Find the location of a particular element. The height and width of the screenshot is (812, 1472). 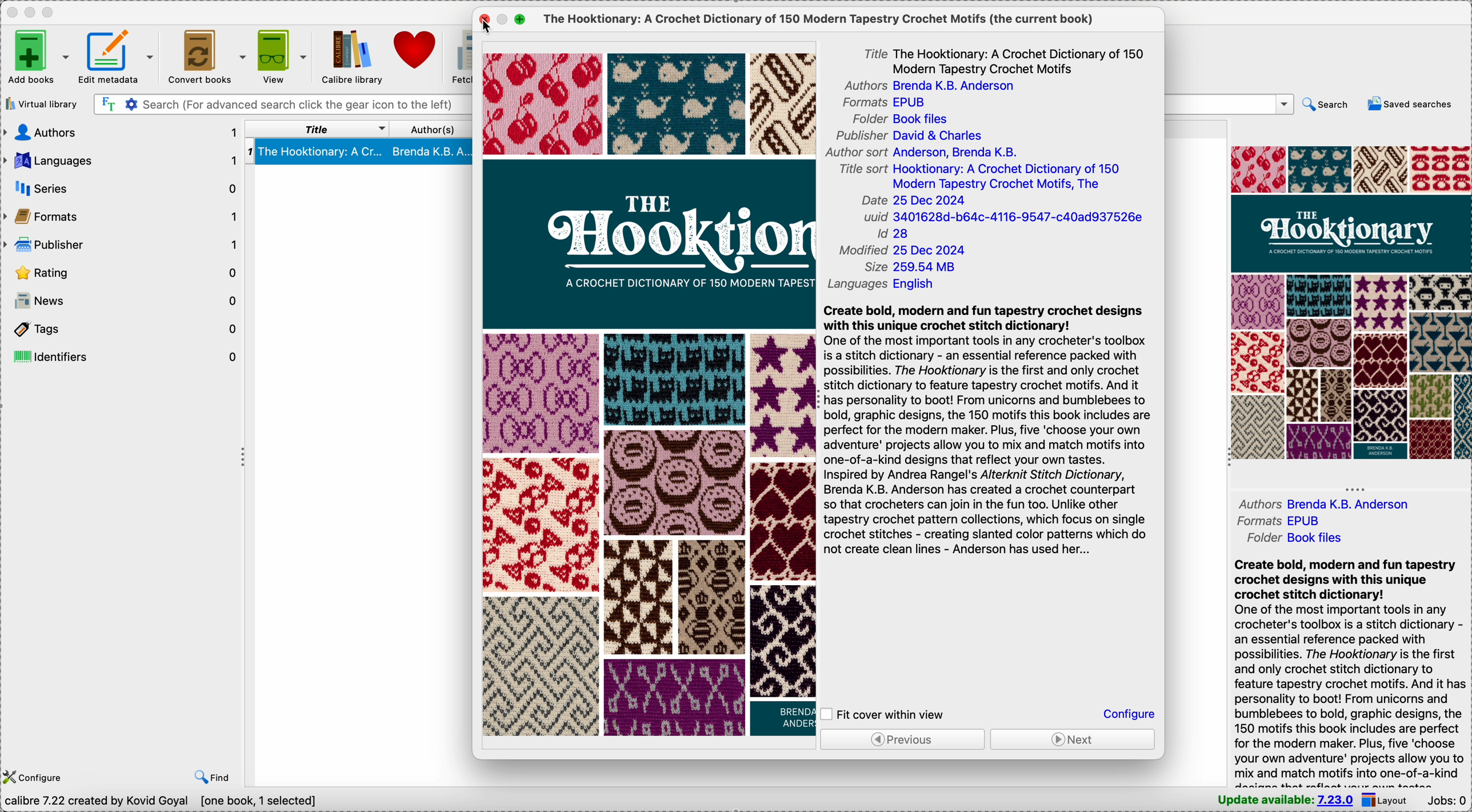

uuid is located at coordinates (1002, 217).